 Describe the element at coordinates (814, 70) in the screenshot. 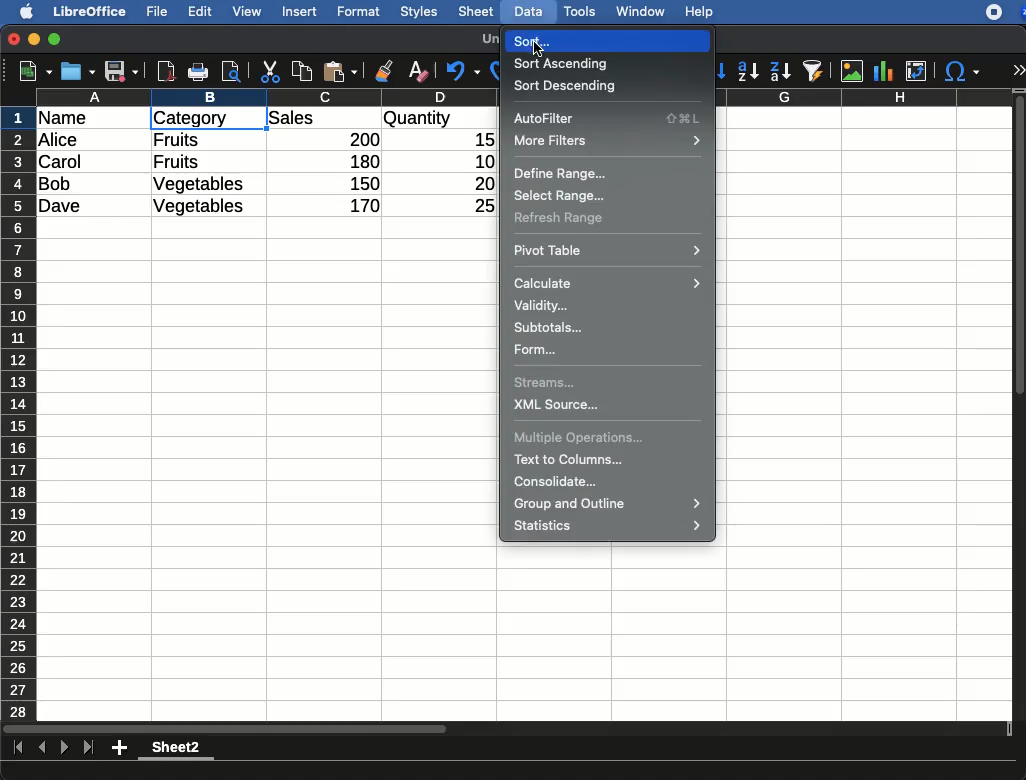

I see `autofilter` at that location.